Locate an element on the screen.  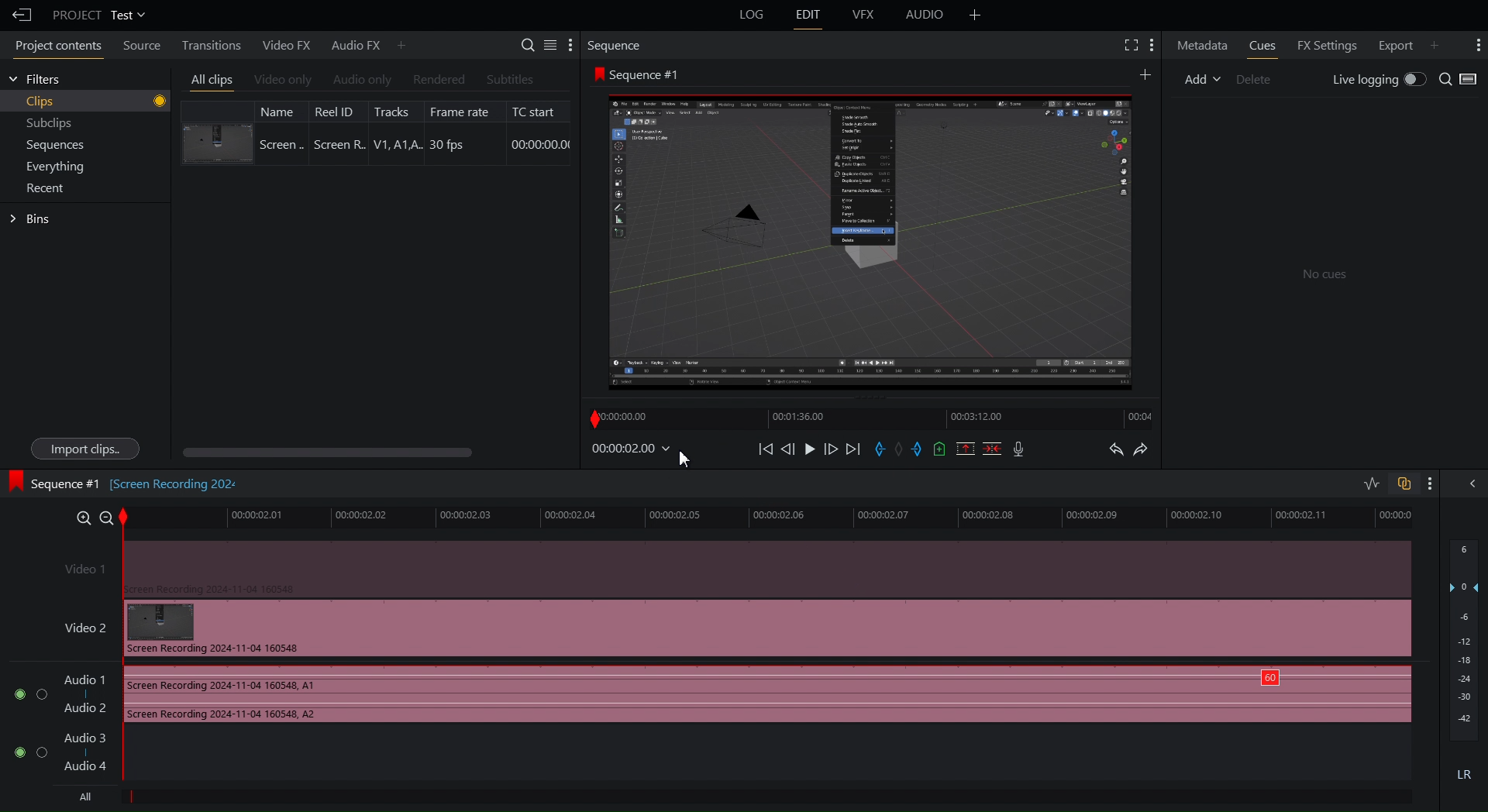
Sequences is located at coordinates (56, 146).